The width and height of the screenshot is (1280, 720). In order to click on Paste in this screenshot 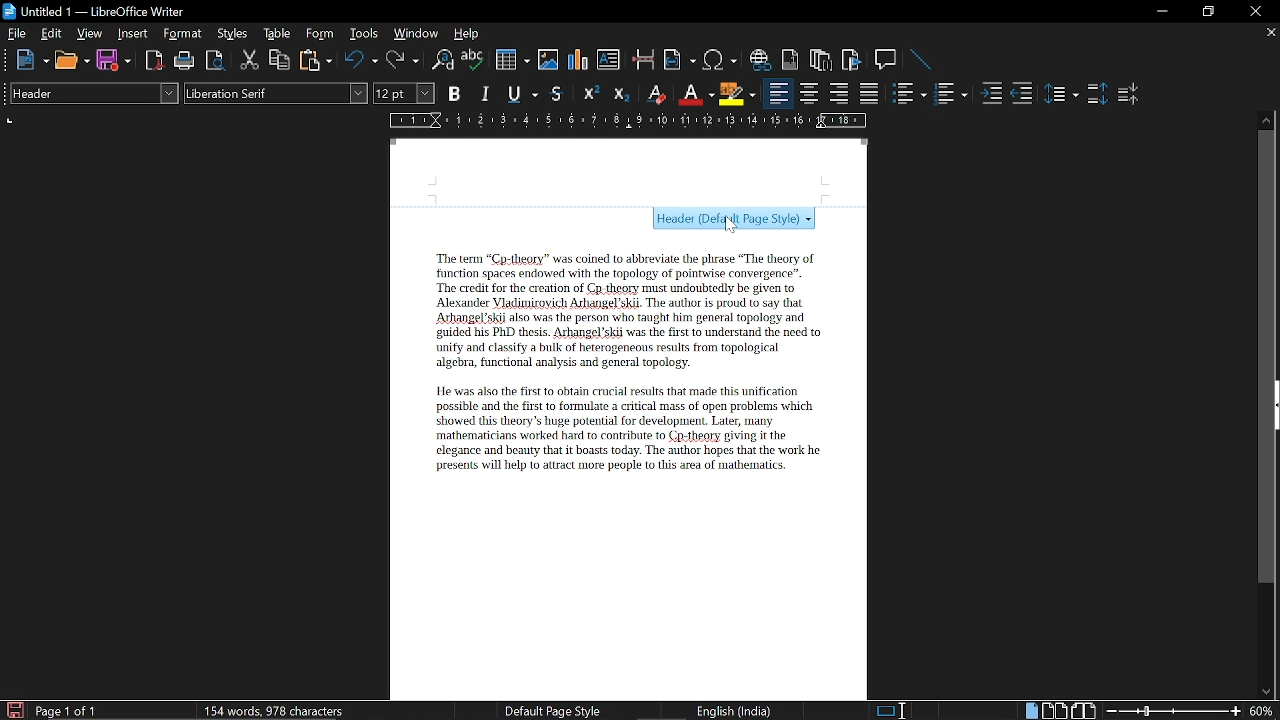, I will do `click(314, 59)`.